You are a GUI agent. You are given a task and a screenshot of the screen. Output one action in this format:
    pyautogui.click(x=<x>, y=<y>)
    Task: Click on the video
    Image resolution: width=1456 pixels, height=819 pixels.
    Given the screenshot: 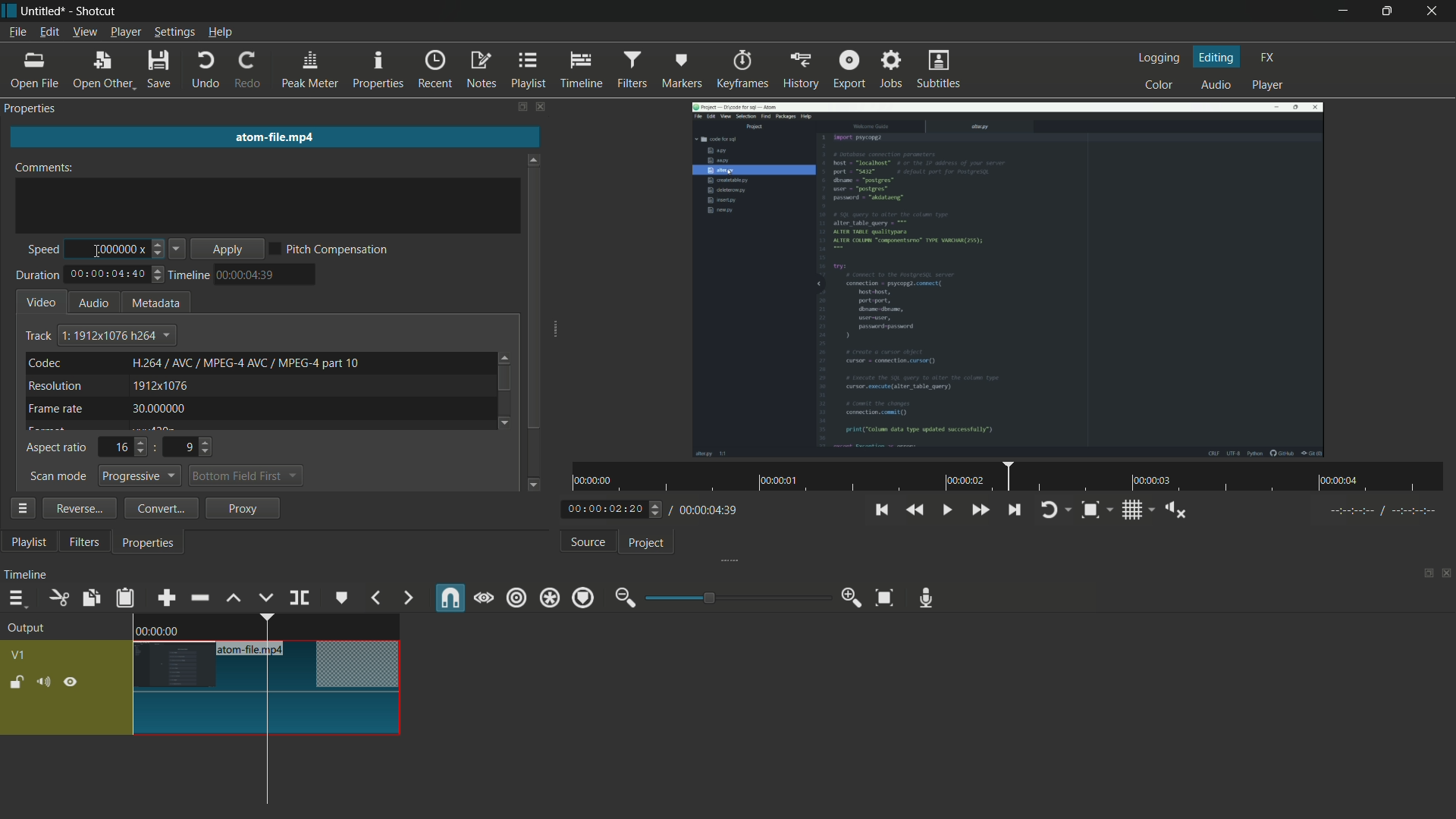 What is the action you would take?
    pyautogui.click(x=42, y=302)
    